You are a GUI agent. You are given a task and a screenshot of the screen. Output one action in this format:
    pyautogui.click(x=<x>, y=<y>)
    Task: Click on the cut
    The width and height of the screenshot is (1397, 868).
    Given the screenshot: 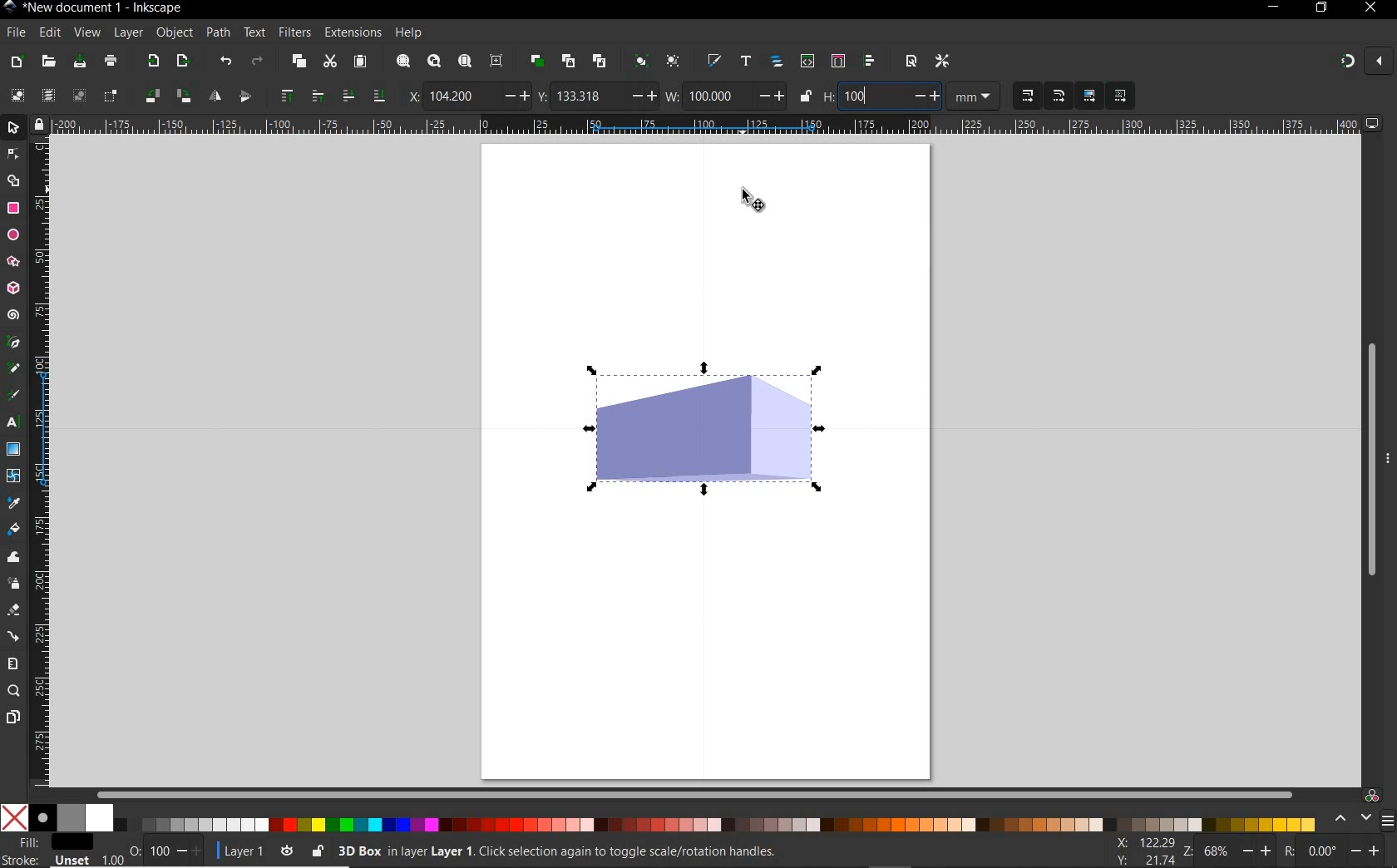 What is the action you would take?
    pyautogui.click(x=329, y=61)
    